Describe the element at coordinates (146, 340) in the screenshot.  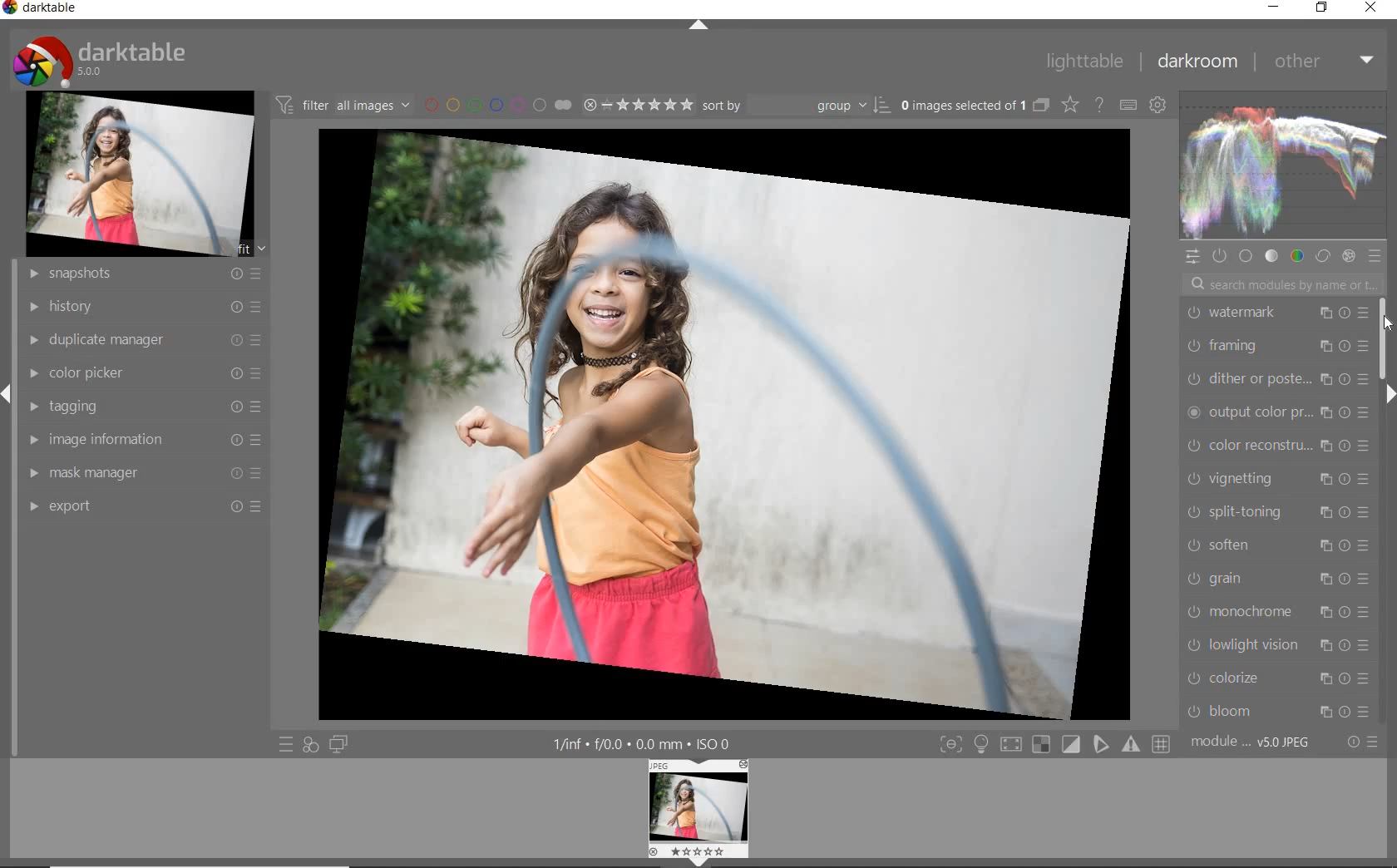
I see `duplicate manager` at that location.